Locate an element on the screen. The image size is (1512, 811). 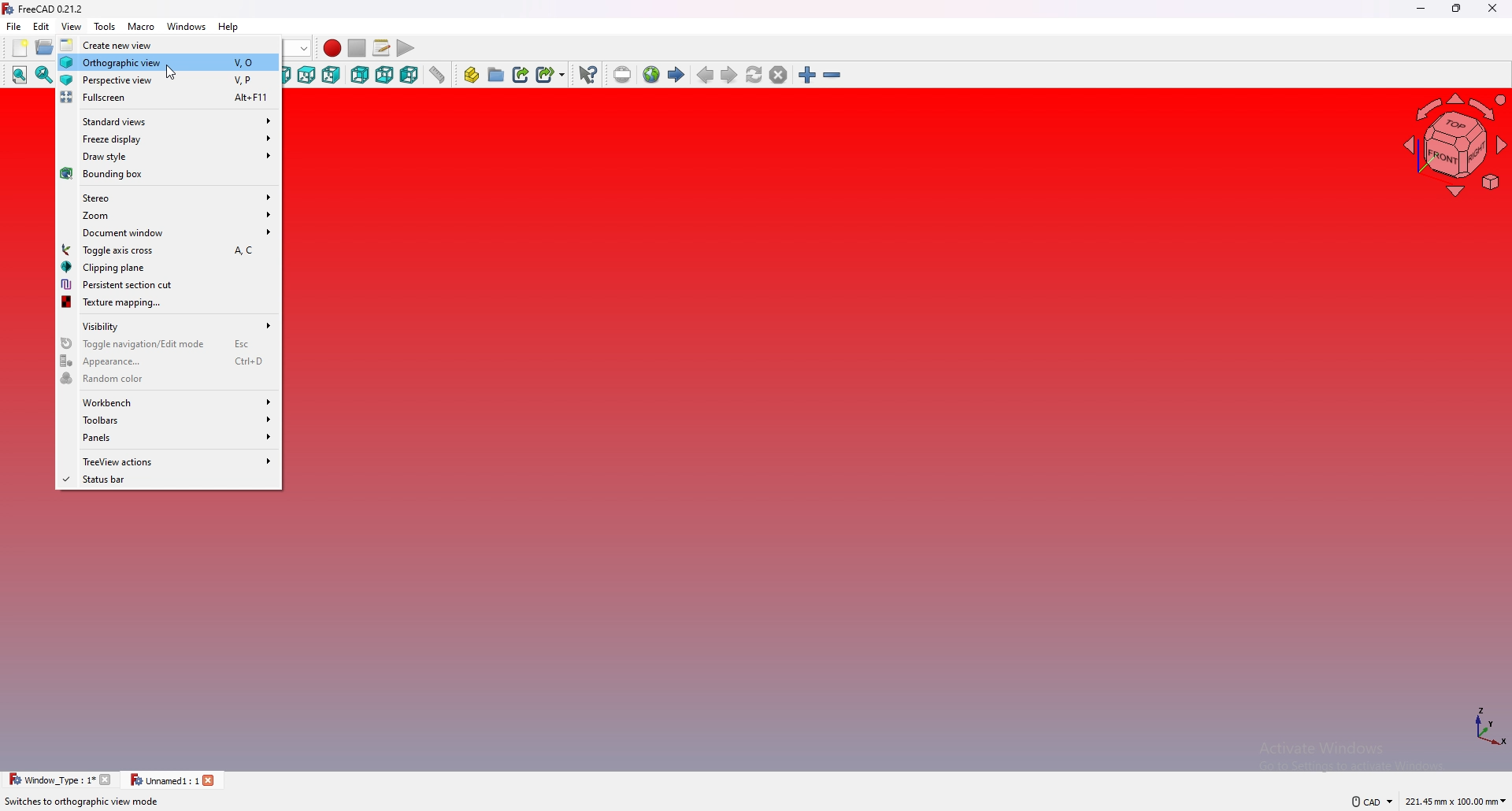
tools is located at coordinates (105, 25).